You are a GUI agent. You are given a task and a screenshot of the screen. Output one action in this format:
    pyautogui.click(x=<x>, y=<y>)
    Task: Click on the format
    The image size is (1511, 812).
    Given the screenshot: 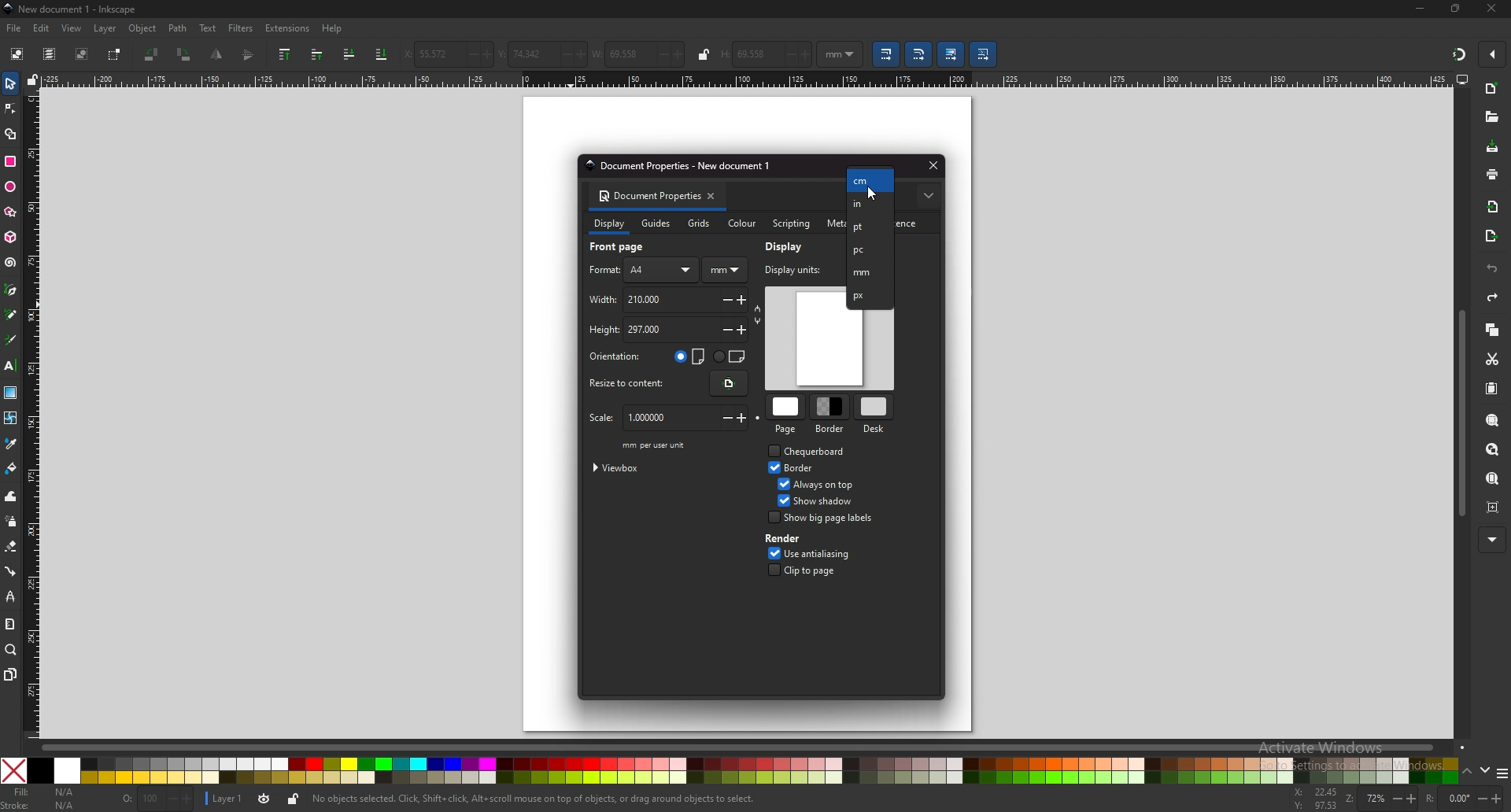 What is the action you would take?
    pyautogui.click(x=604, y=270)
    